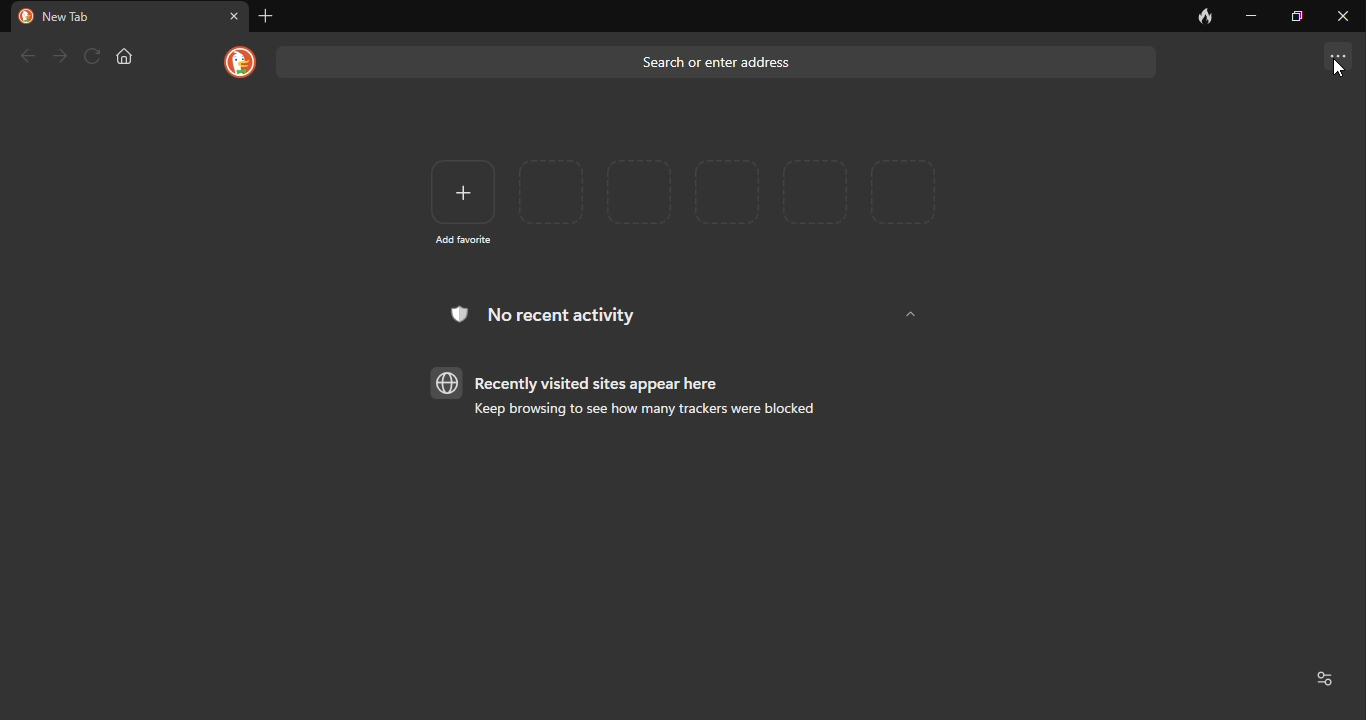  I want to click on duckduck go logo, so click(24, 16).